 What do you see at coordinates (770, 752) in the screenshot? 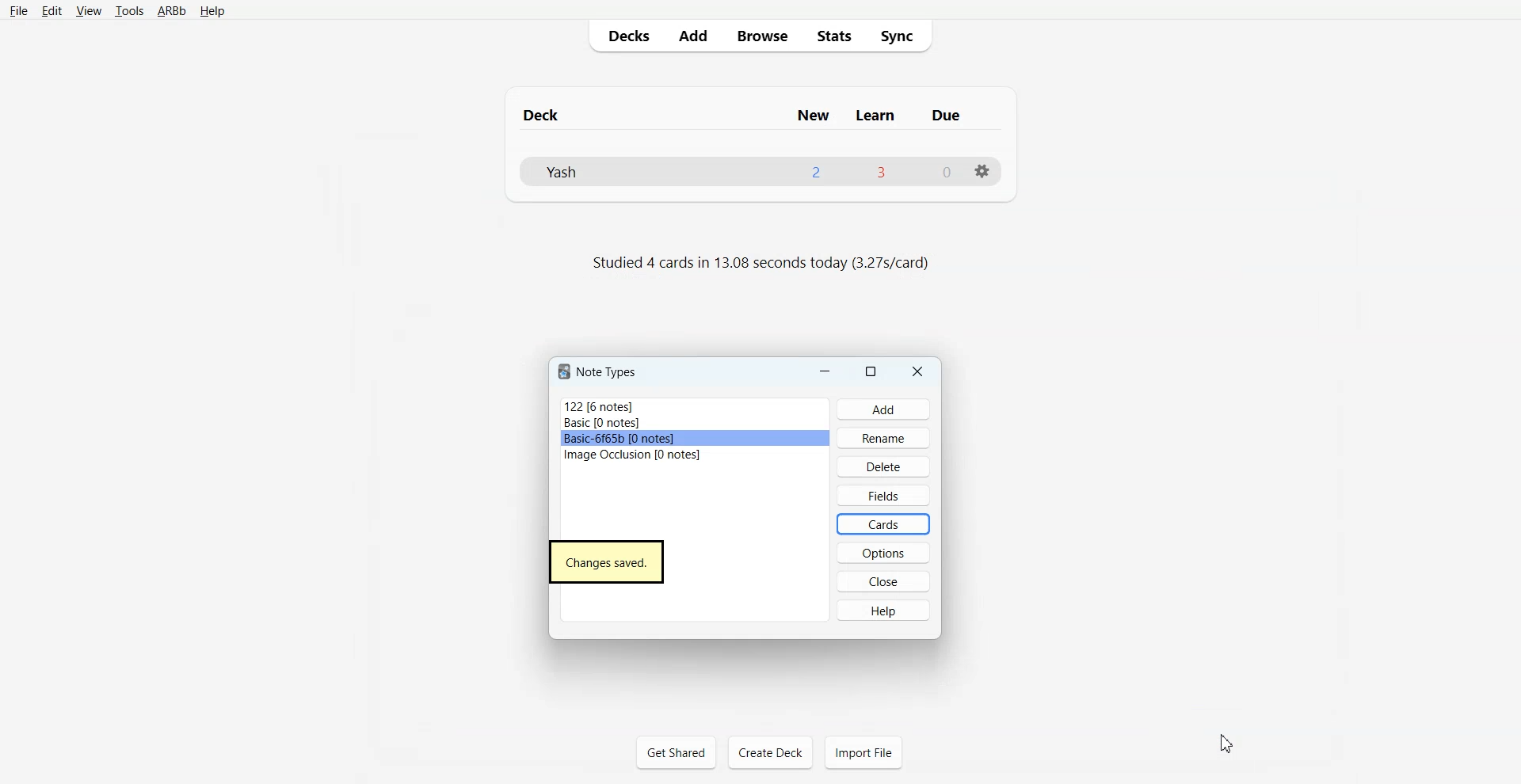
I see `Create Deck` at bounding box center [770, 752].